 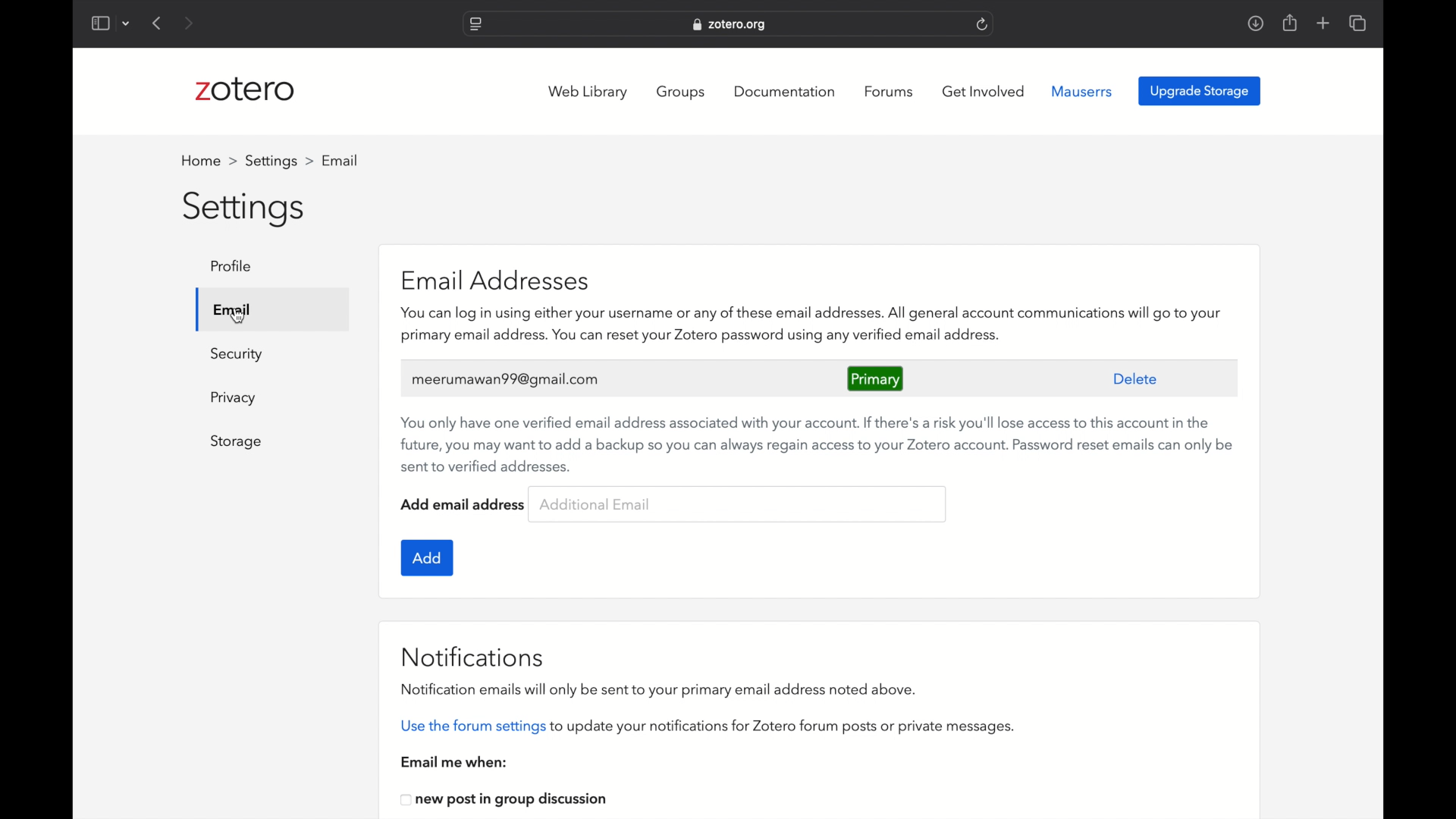 What do you see at coordinates (682, 92) in the screenshot?
I see `group` at bounding box center [682, 92].